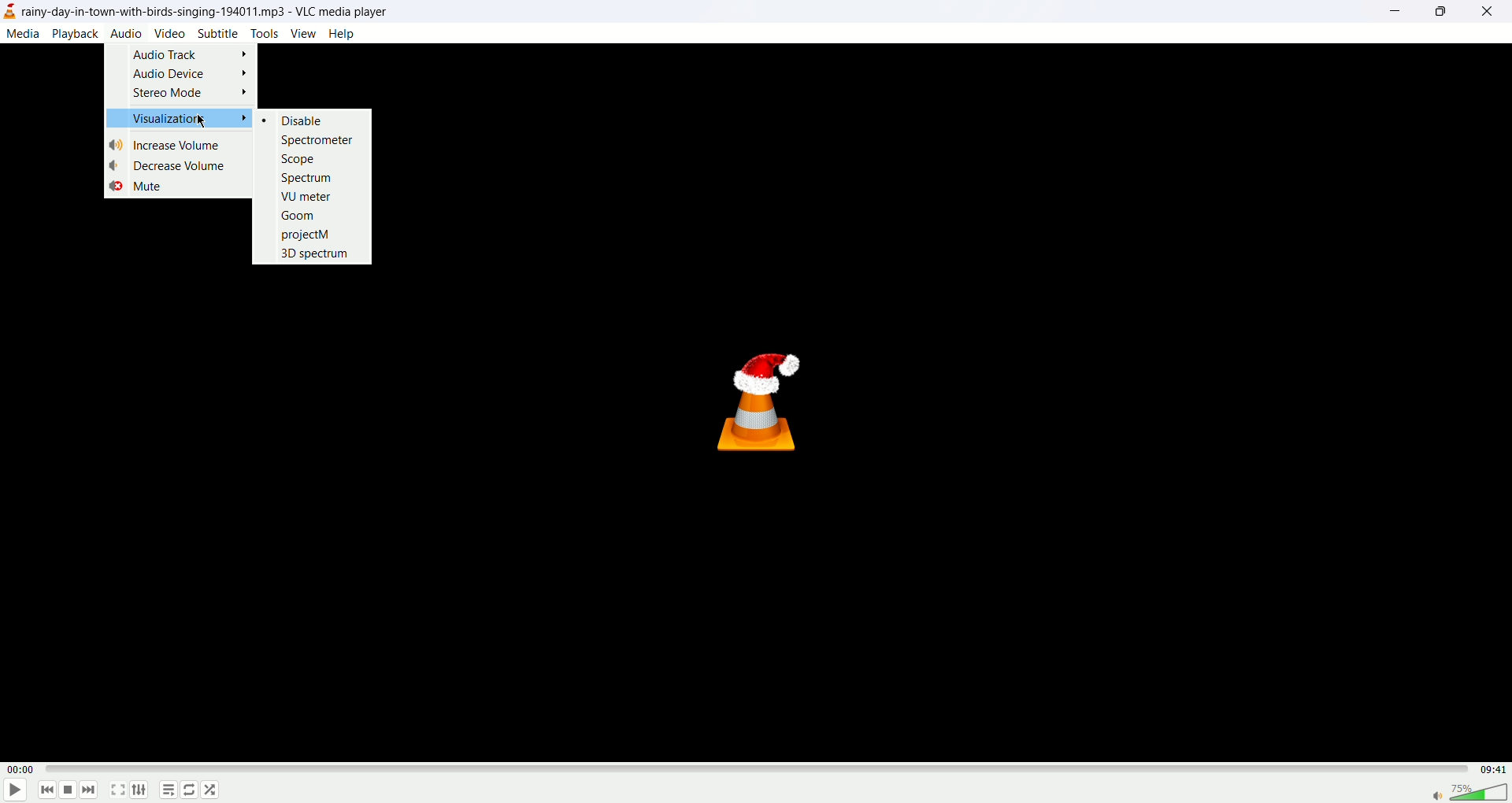 The height and width of the screenshot is (803, 1512). I want to click on audio track, so click(191, 54).